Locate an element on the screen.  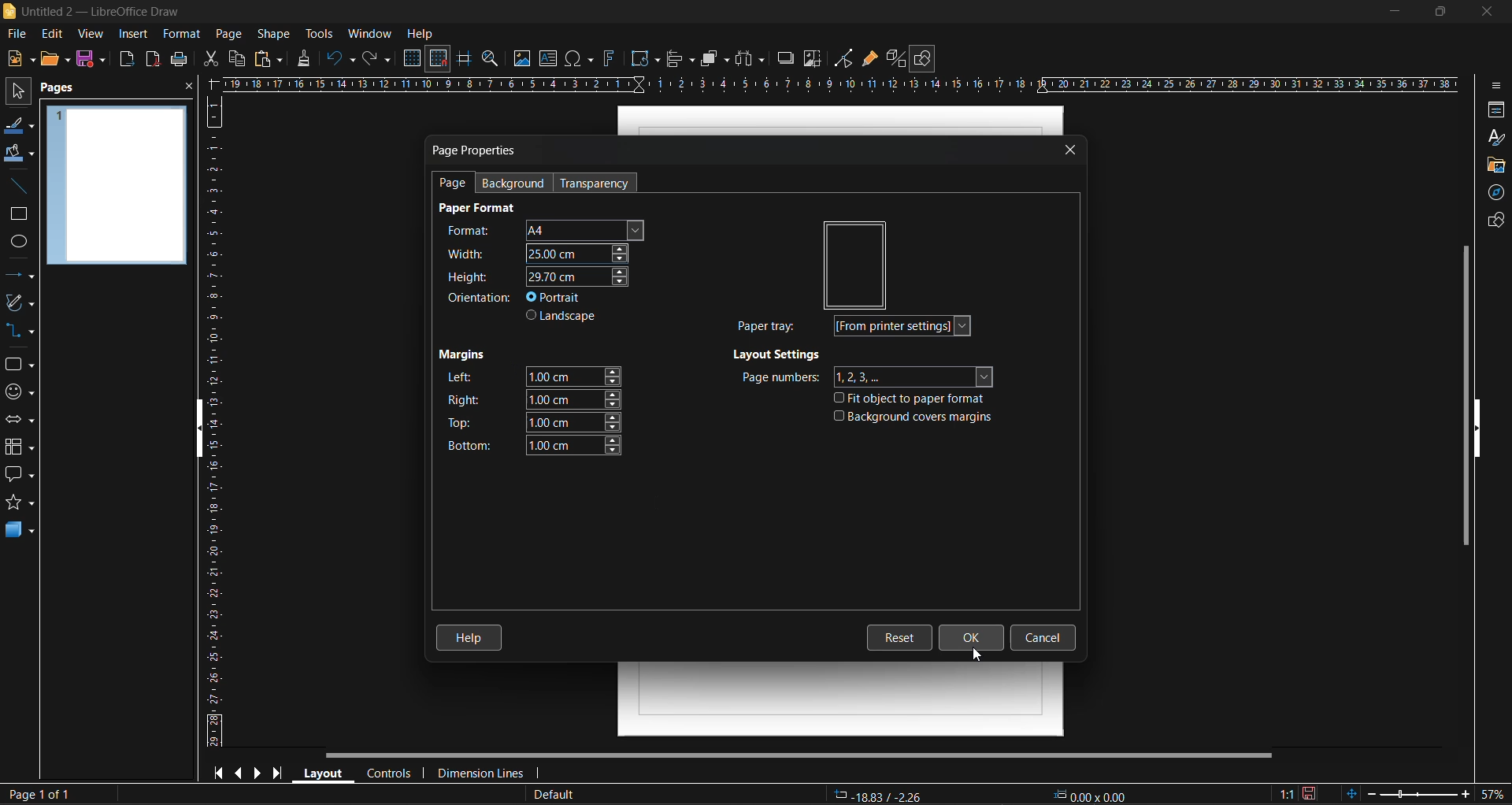
horizontal scroll bar is located at coordinates (801, 755).